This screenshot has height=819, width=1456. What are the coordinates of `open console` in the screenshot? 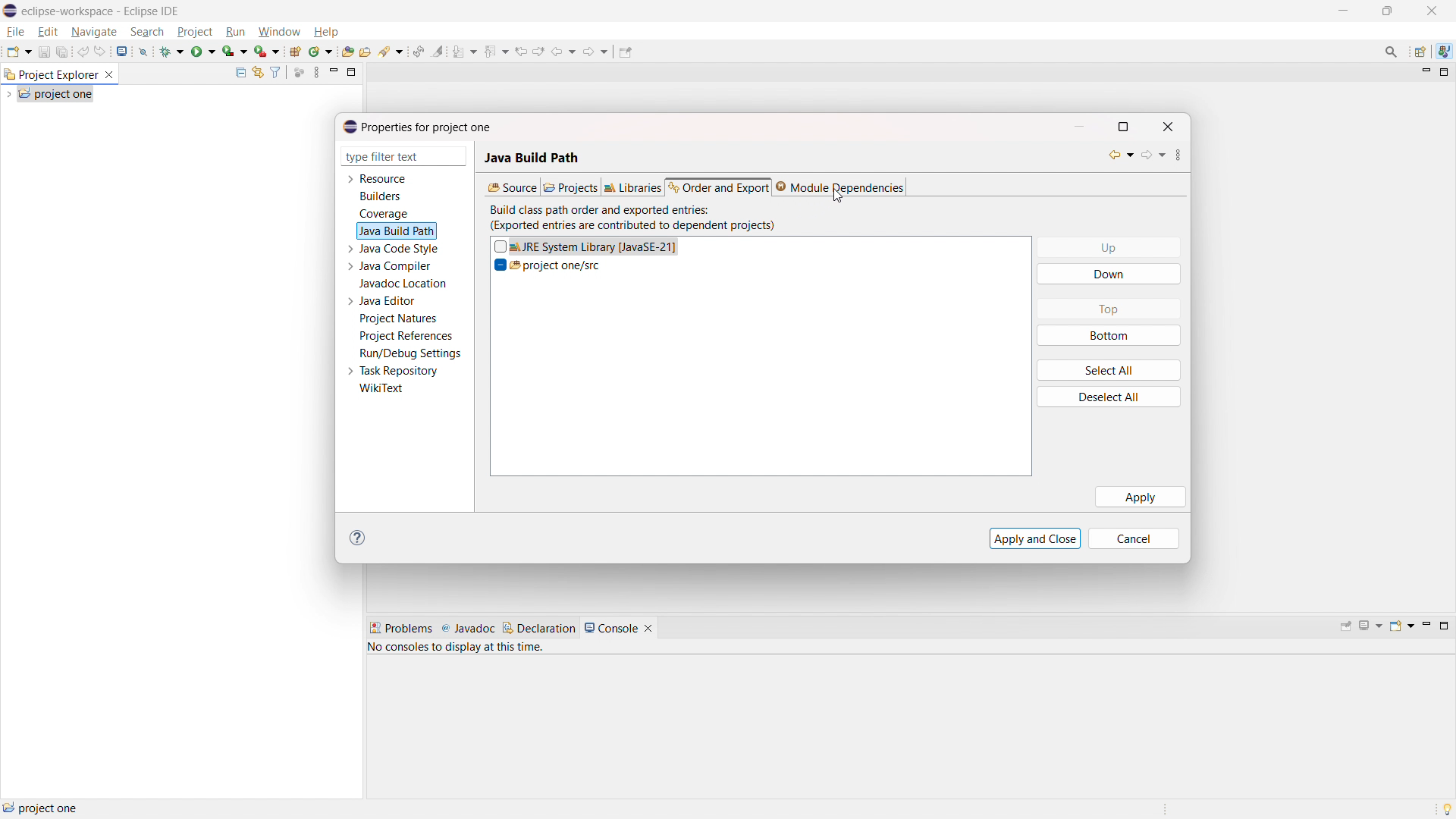 It's located at (1401, 626).